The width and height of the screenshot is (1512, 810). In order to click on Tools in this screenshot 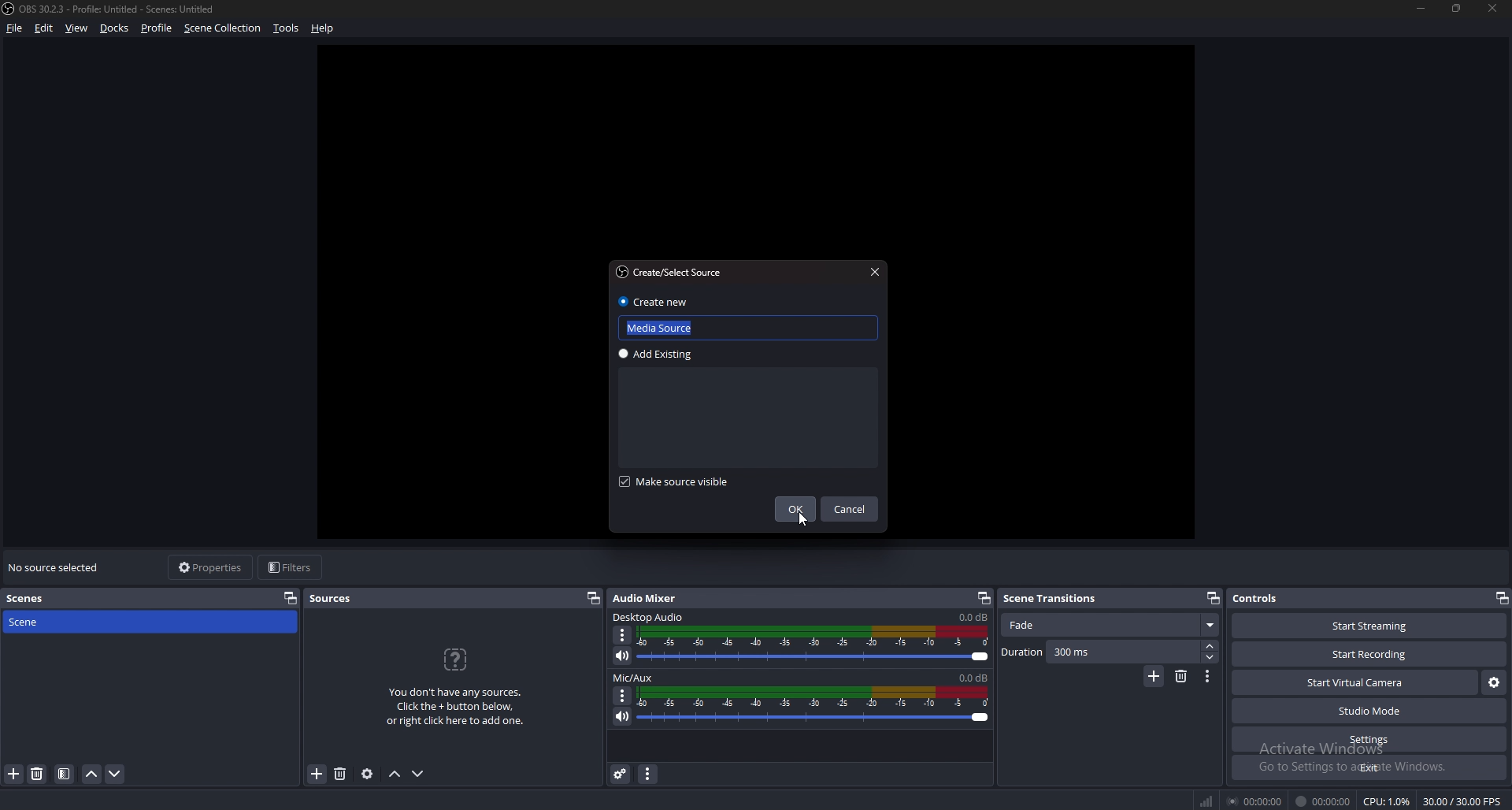, I will do `click(287, 28)`.